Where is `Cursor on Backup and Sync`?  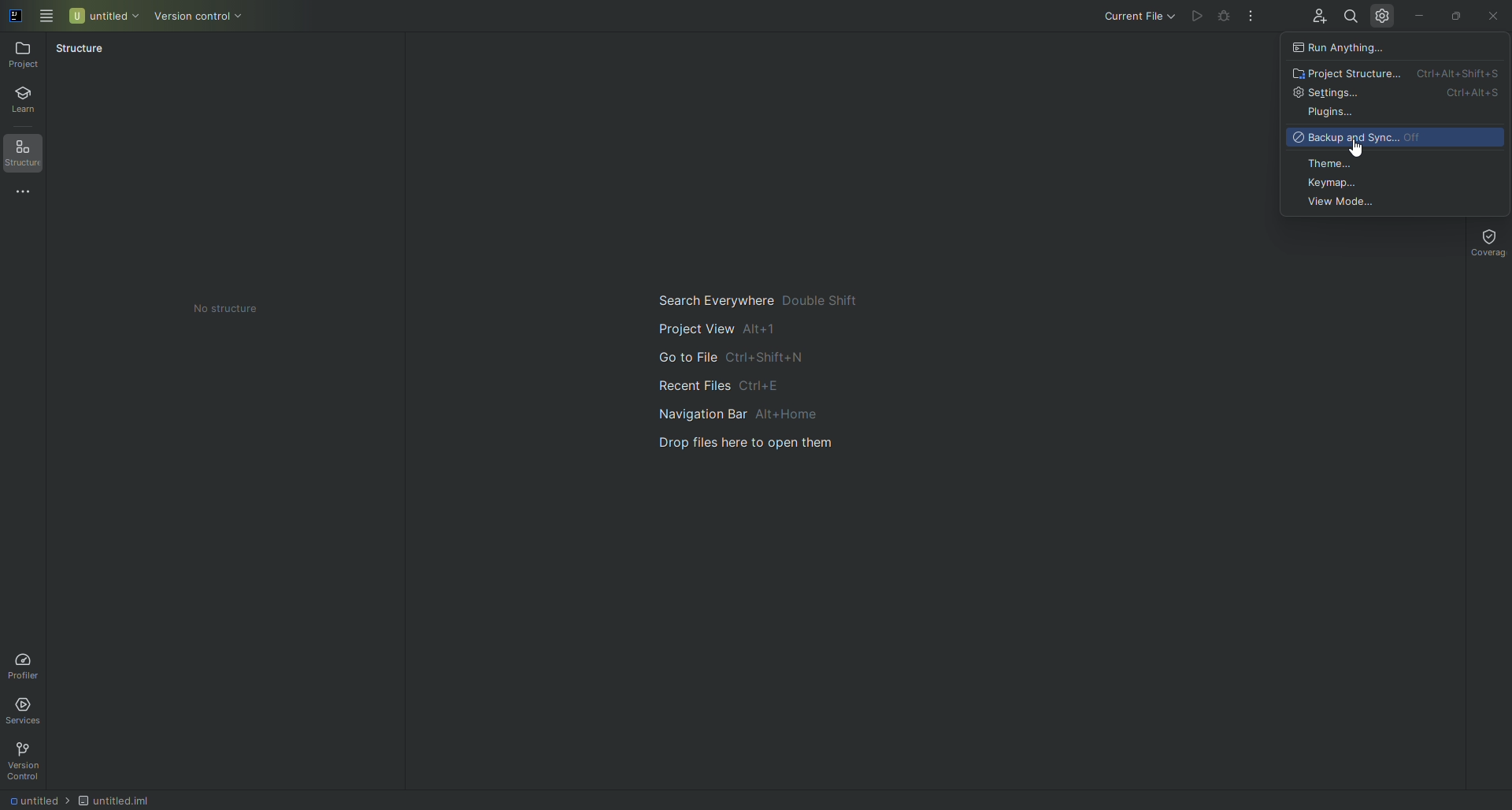 Cursor on Backup and Sync is located at coordinates (1356, 148).